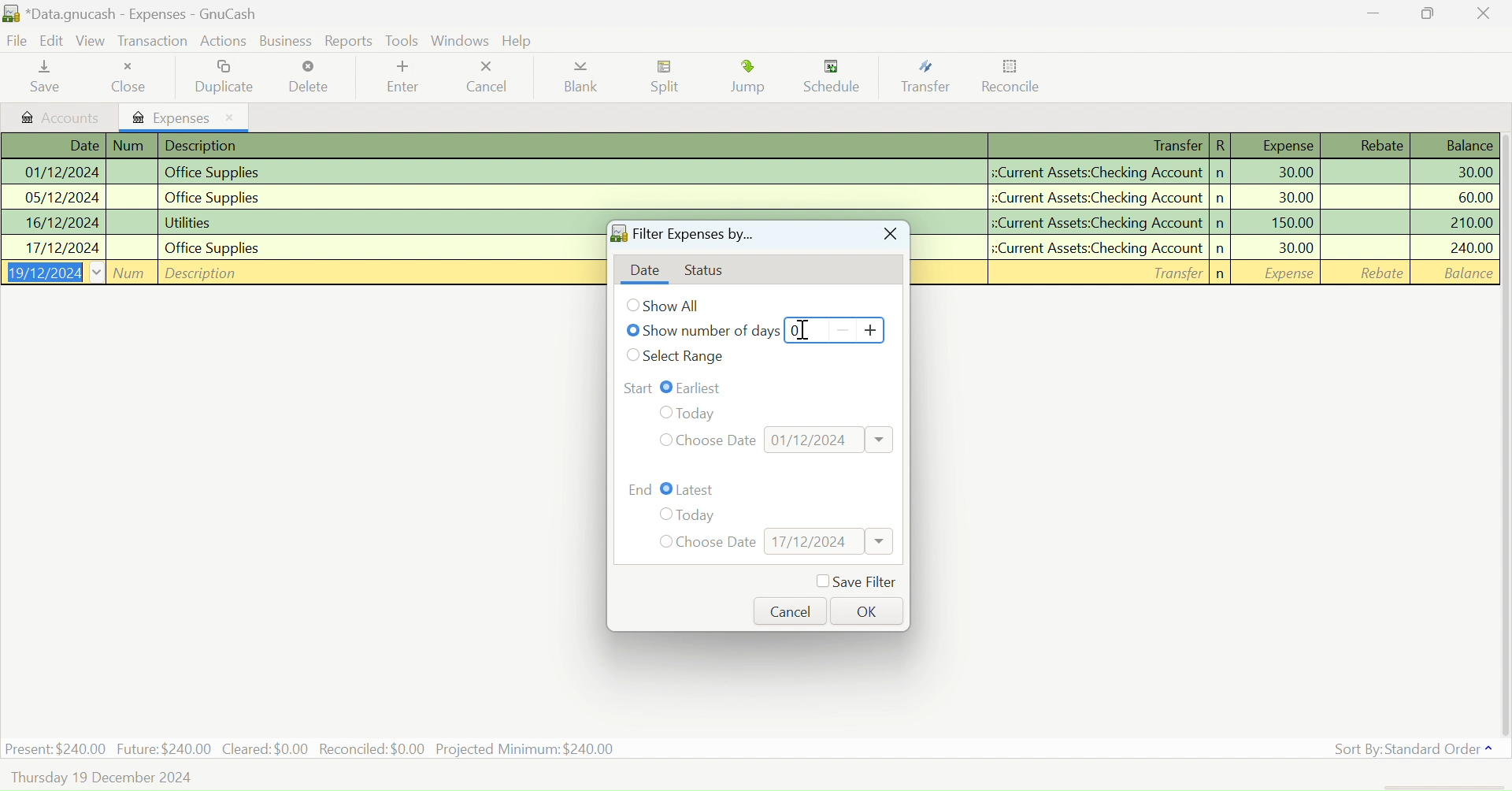 The width and height of the screenshot is (1512, 791). What do you see at coordinates (751, 147) in the screenshot?
I see `Transactions Column Headings` at bounding box center [751, 147].